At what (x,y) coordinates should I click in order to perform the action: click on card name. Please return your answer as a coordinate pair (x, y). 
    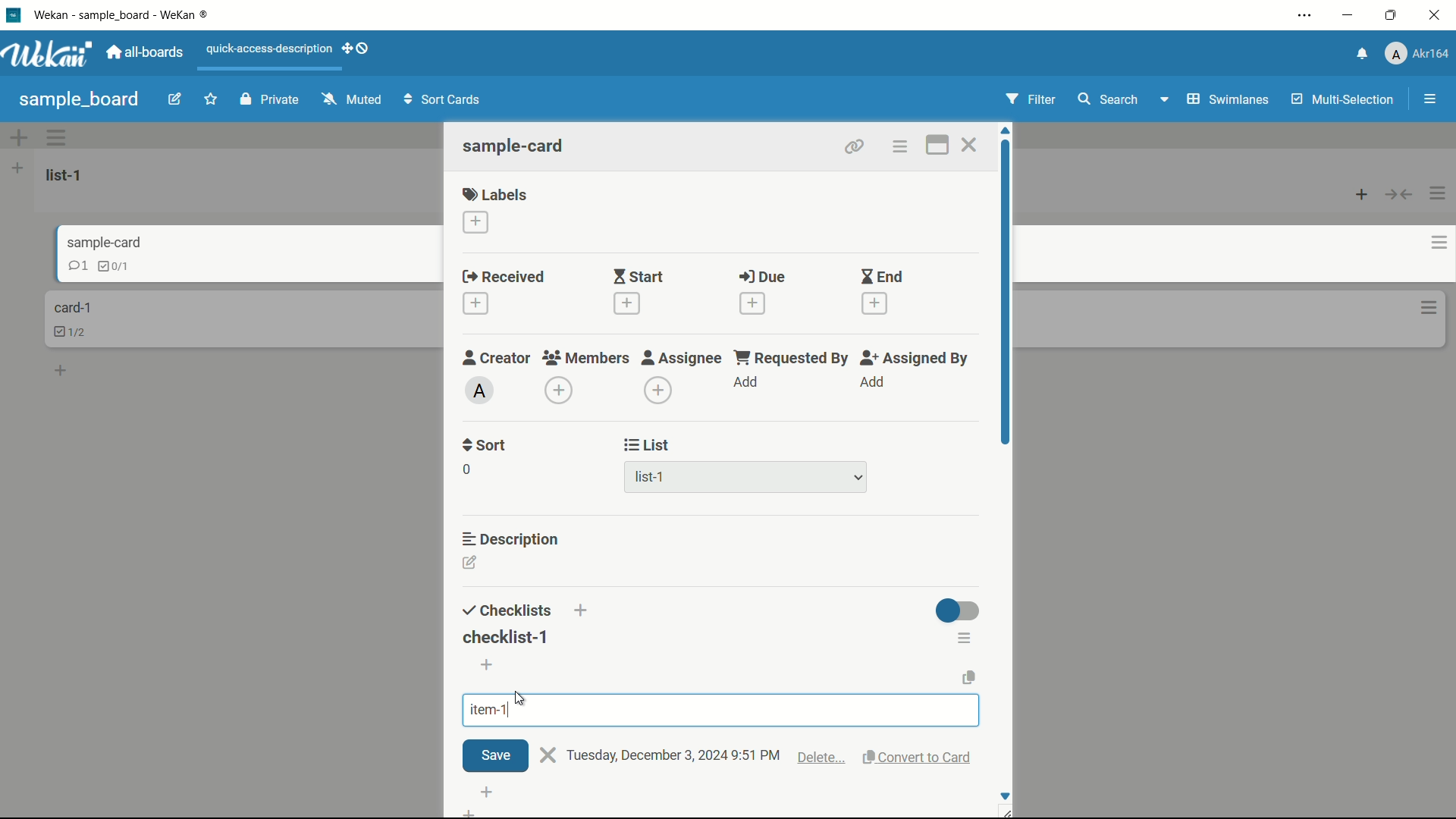
    Looking at the image, I should click on (515, 145).